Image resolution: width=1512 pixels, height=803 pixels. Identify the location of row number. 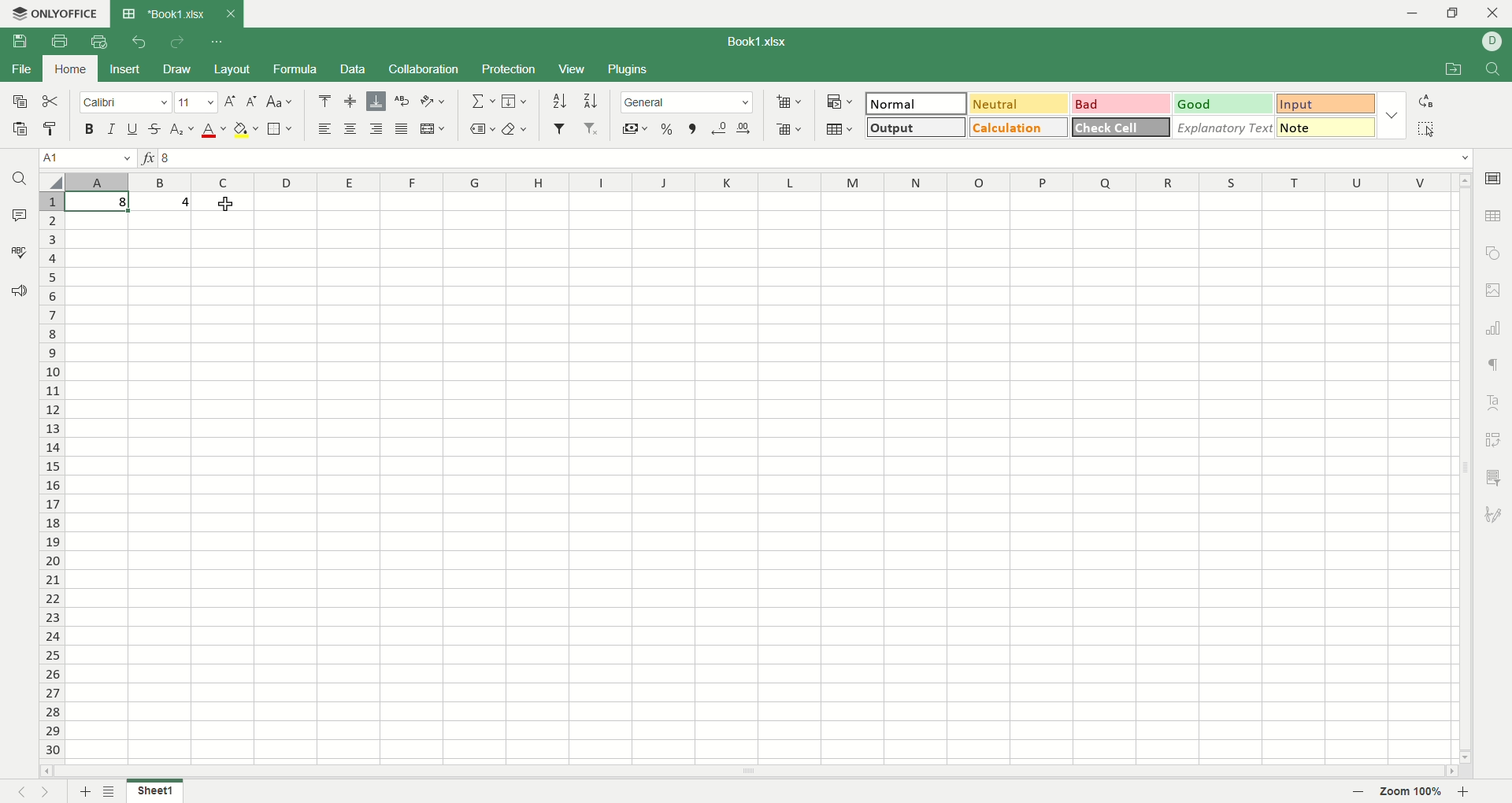
(53, 476).